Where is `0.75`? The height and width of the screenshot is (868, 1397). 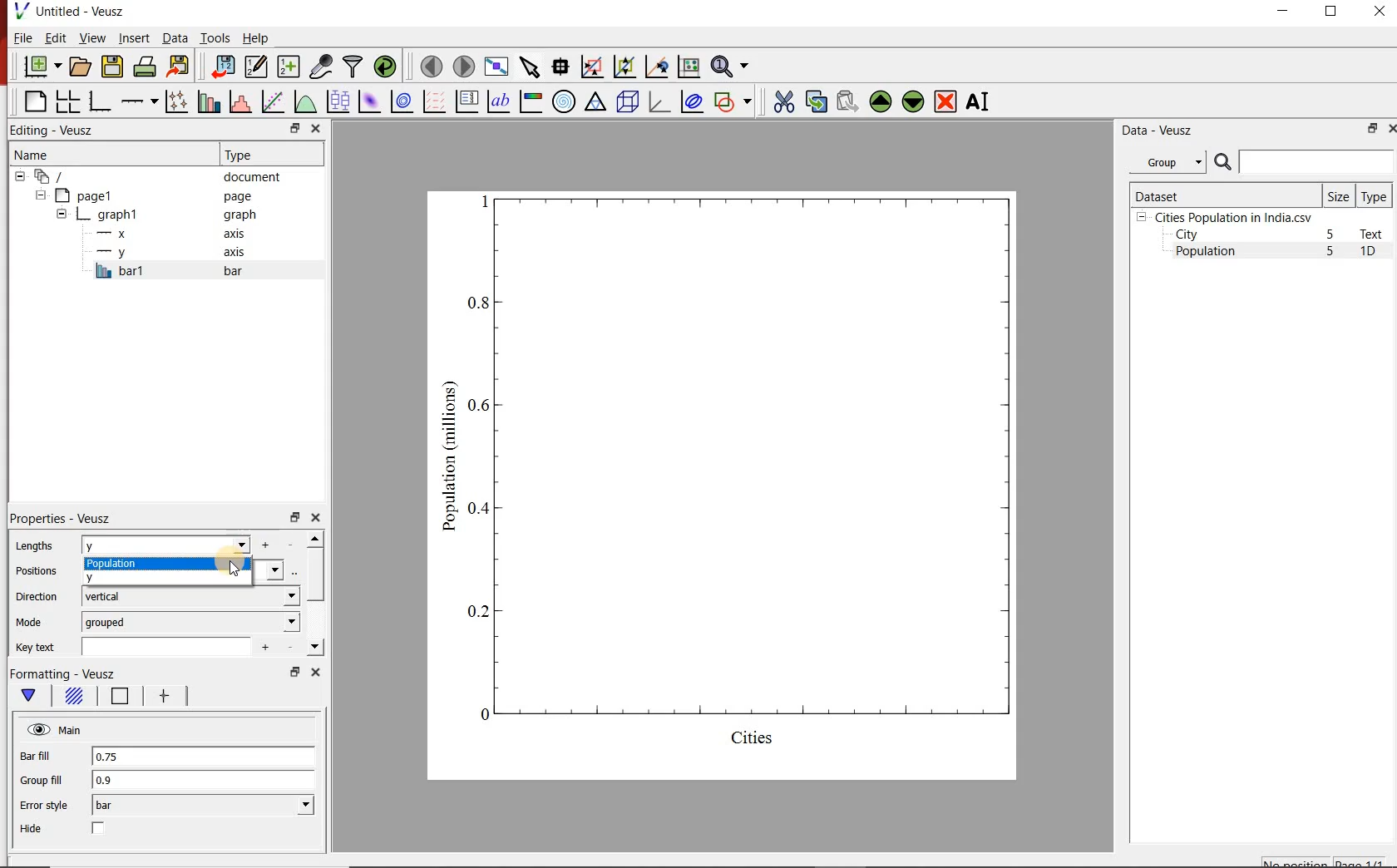
0.75 is located at coordinates (202, 757).